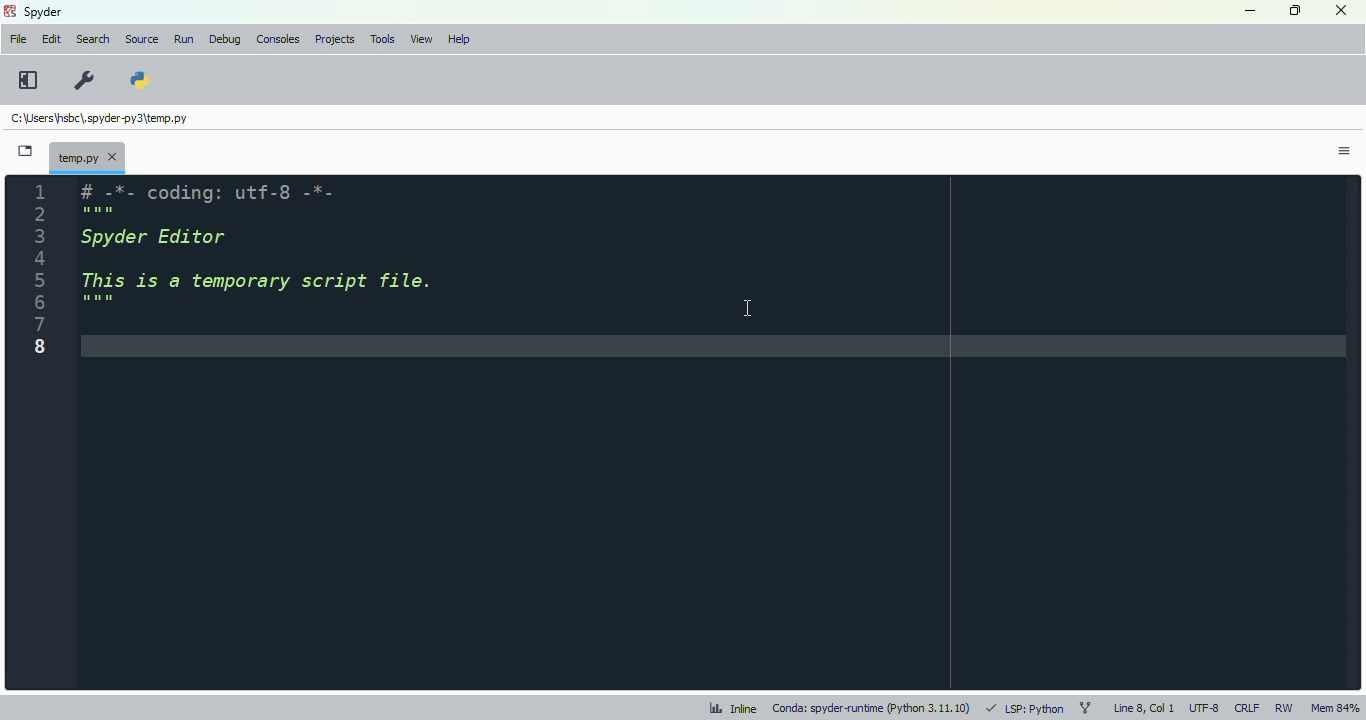 The image size is (1366, 720). What do you see at coordinates (1285, 709) in the screenshot?
I see `RW` at bounding box center [1285, 709].